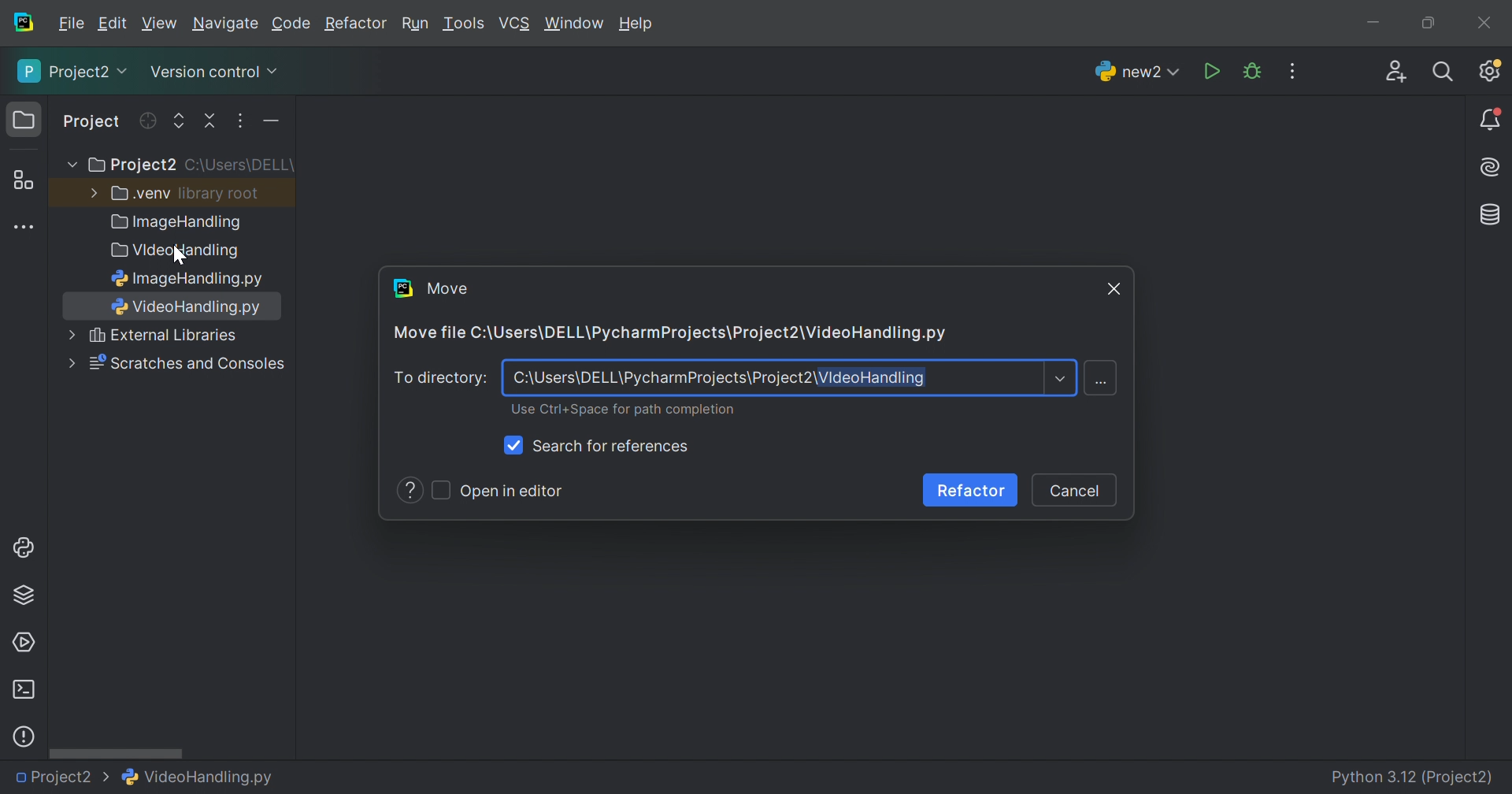 This screenshot has width=1512, height=794. What do you see at coordinates (74, 71) in the screenshot?
I see `Project2` at bounding box center [74, 71].